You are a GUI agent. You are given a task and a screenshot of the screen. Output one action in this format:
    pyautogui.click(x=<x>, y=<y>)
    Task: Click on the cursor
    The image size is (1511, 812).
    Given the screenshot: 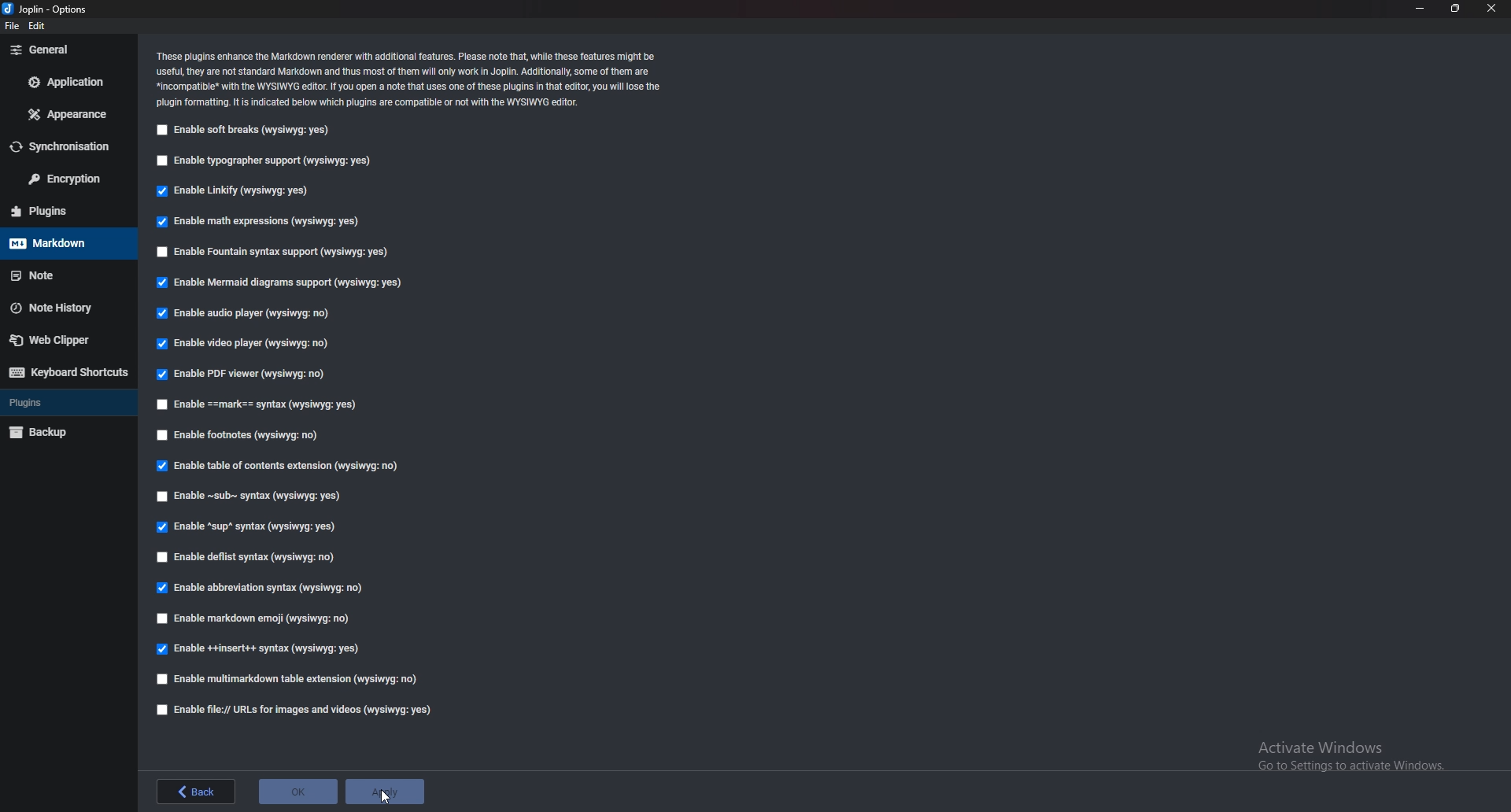 What is the action you would take?
    pyautogui.click(x=384, y=798)
    